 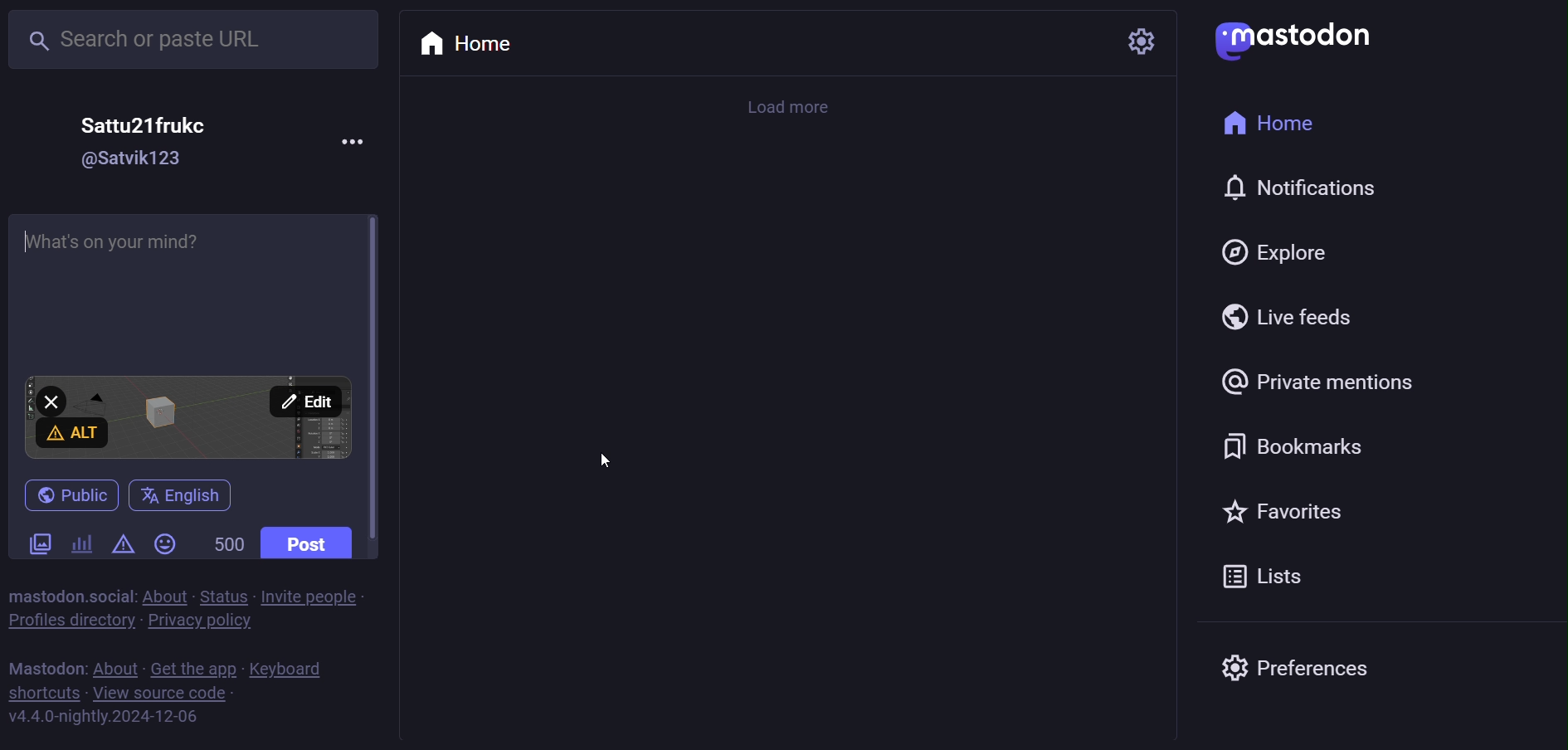 What do you see at coordinates (608, 463) in the screenshot?
I see `cursor` at bounding box center [608, 463].